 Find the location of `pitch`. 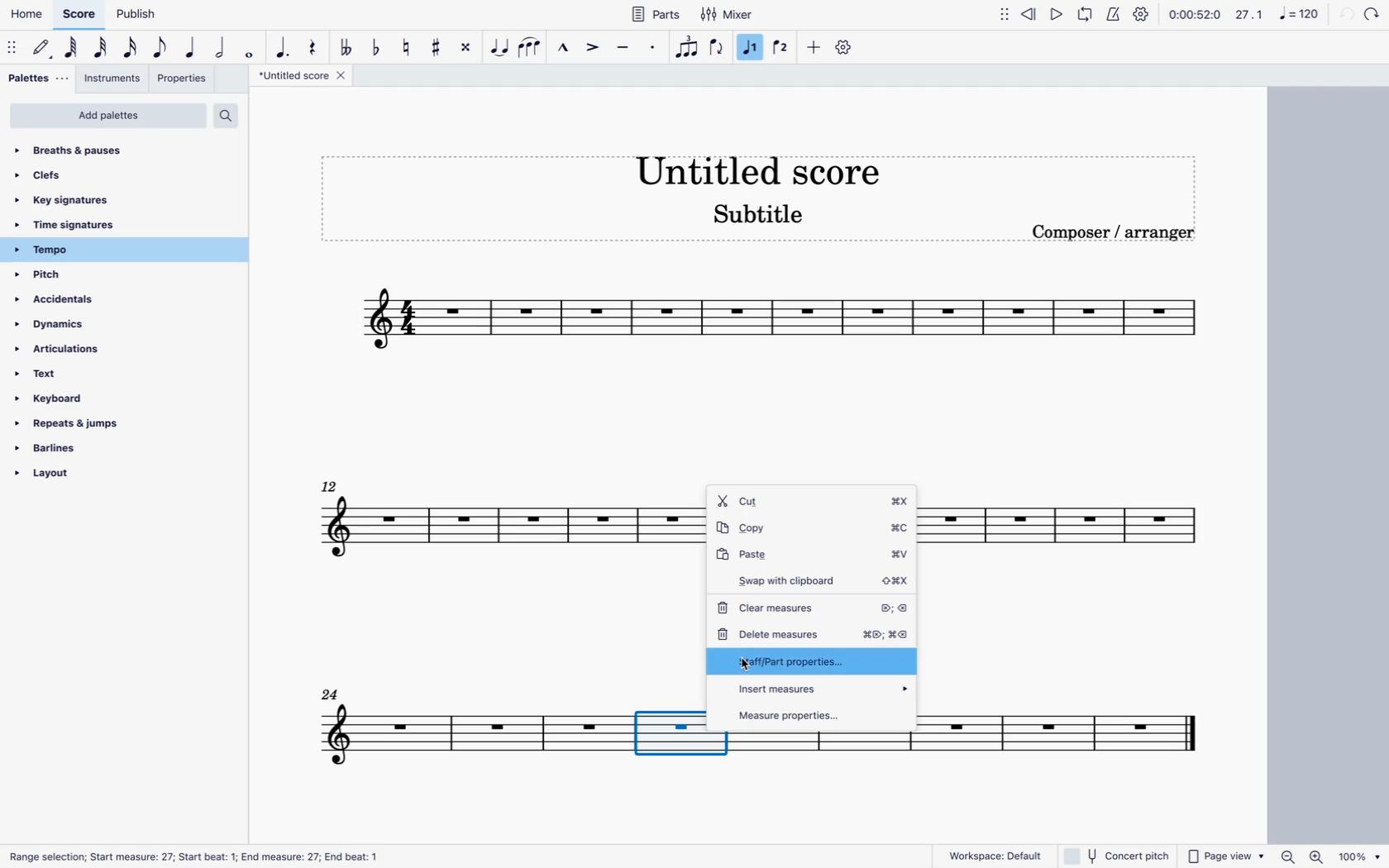

pitch is located at coordinates (64, 276).